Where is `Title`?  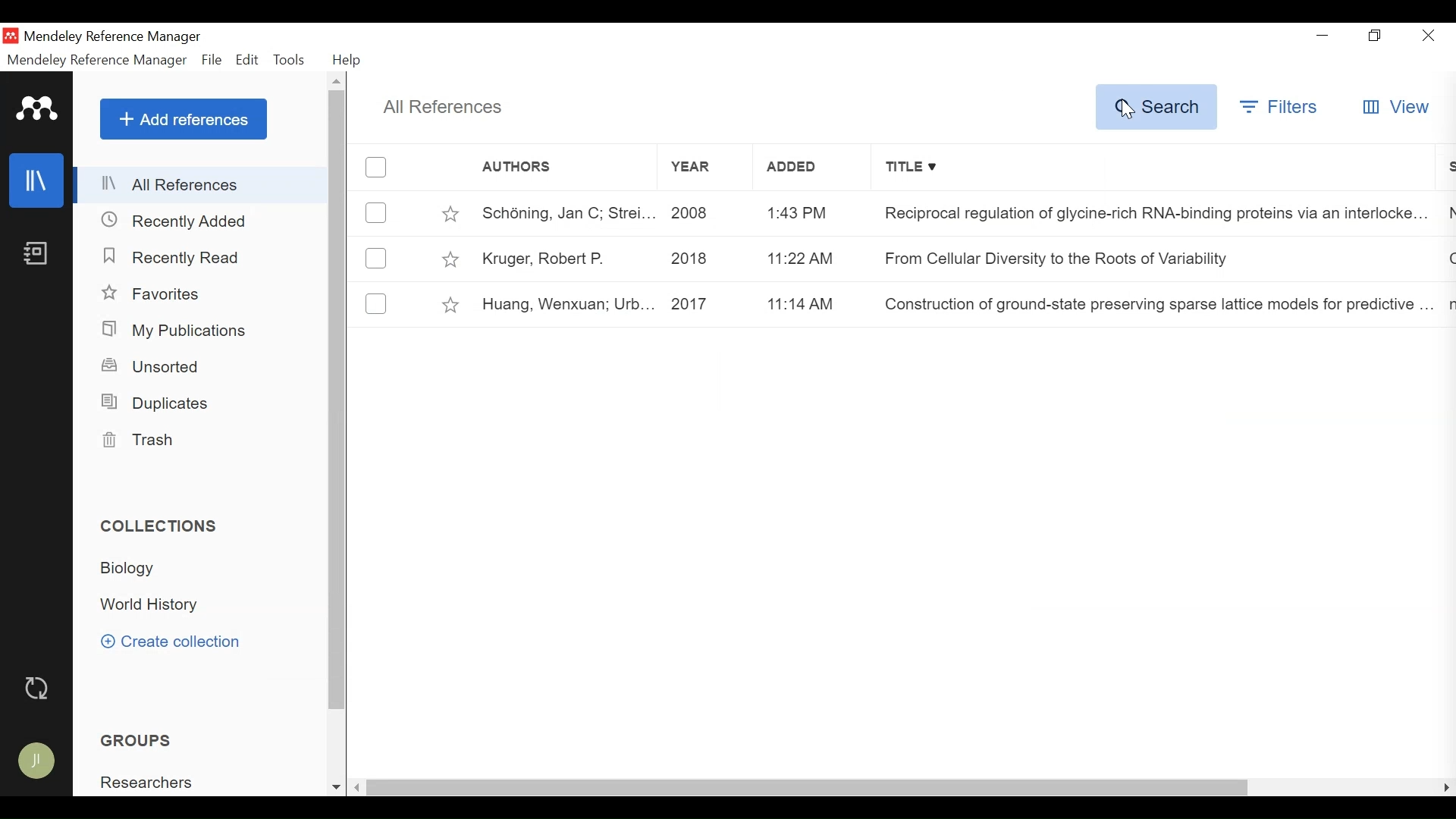 Title is located at coordinates (1152, 168).